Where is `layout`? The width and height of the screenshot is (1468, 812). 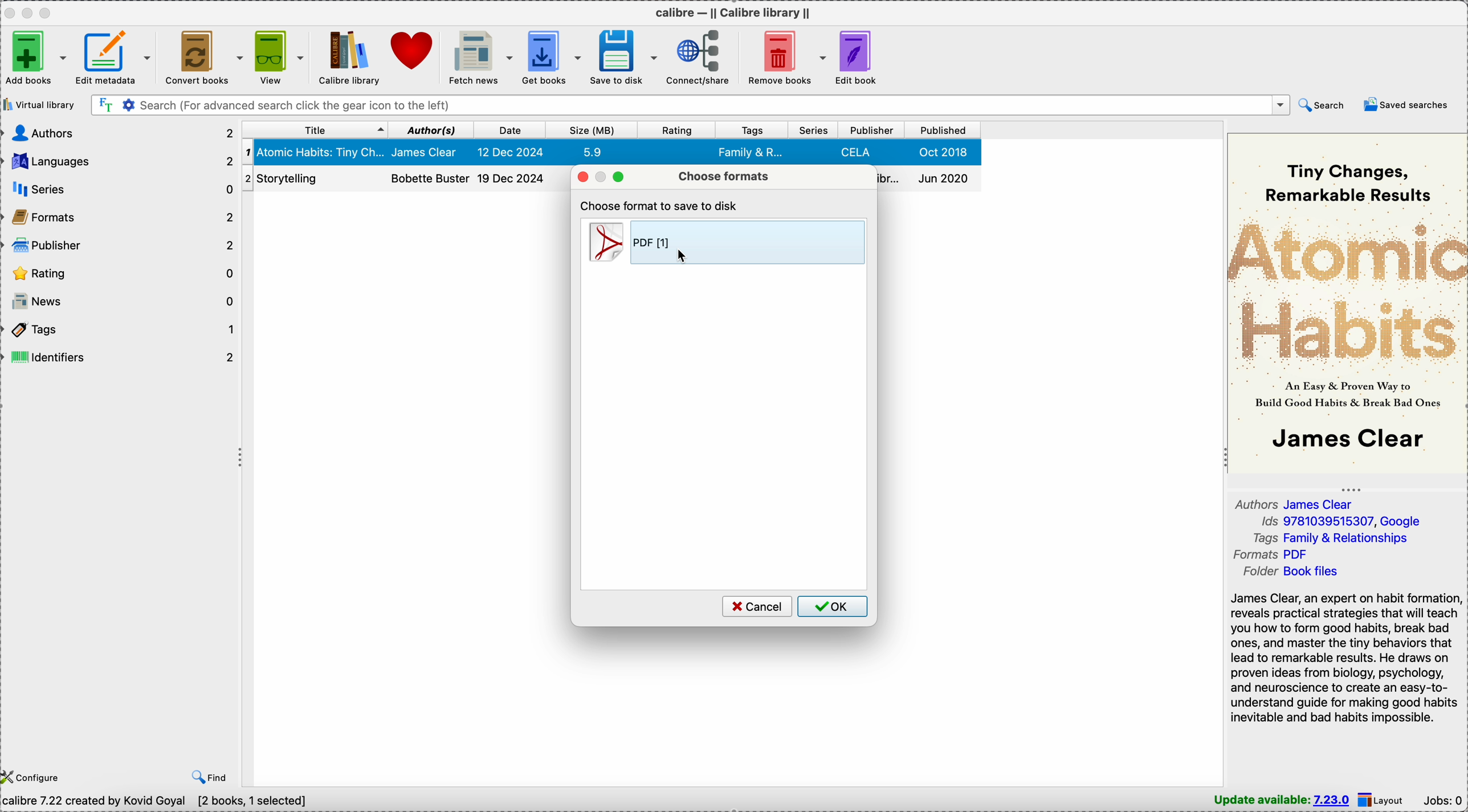 layout is located at coordinates (1381, 800).